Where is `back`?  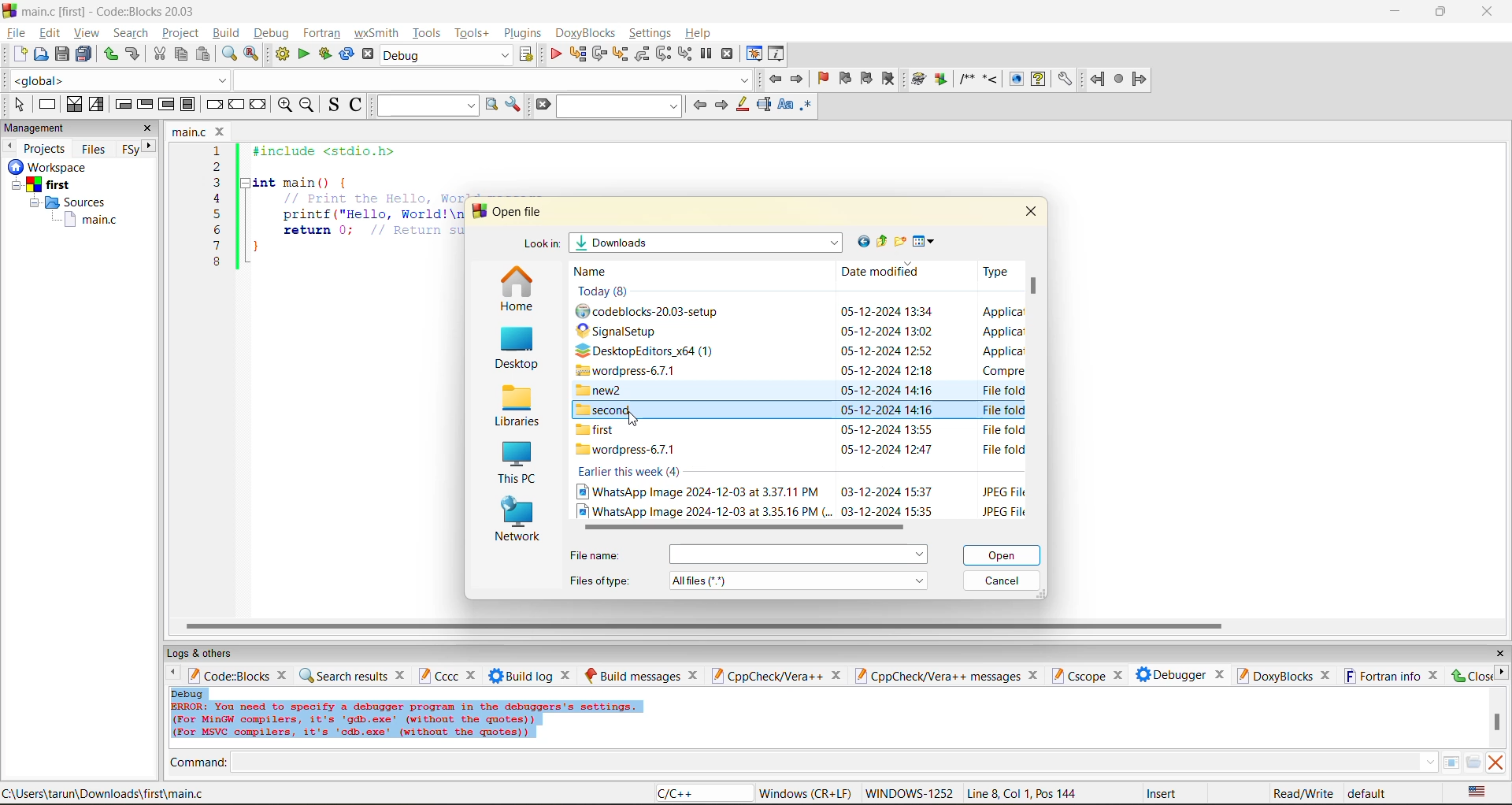 back is located at coordinates (1099, 79).